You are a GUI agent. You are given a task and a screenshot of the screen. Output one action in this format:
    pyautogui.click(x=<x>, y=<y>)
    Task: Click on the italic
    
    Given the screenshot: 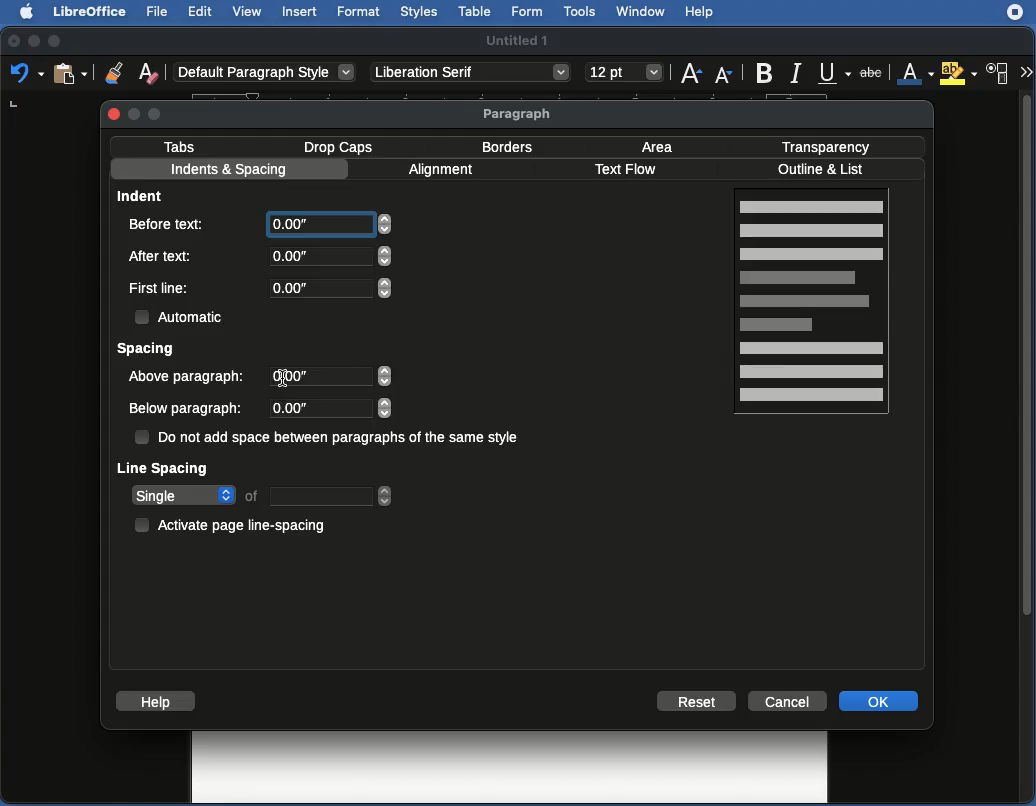 What is the action you would take?
    pyautogui.click(x=795, y=71)
    